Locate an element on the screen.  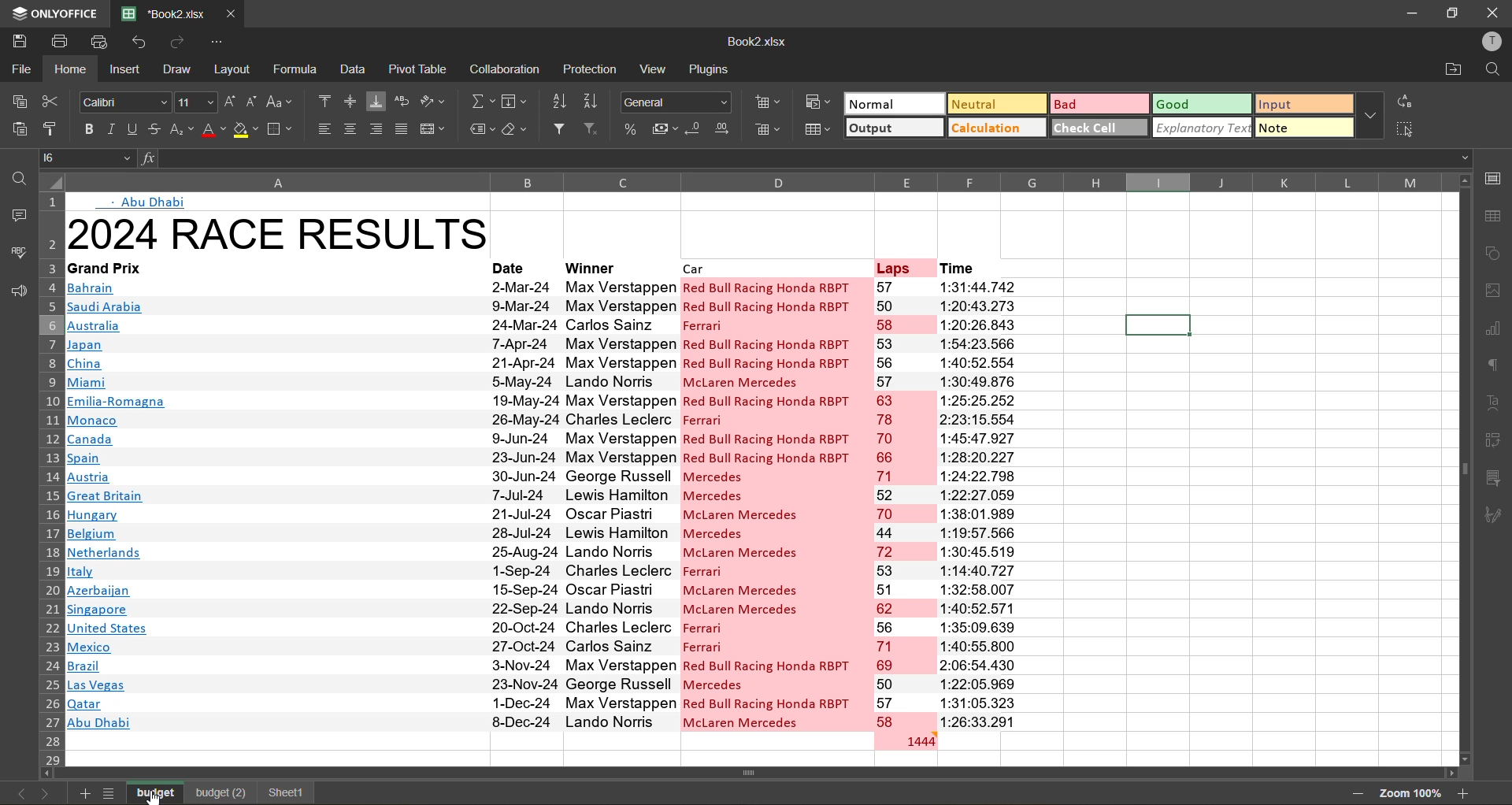
images is located at coordinates (1495, 293).